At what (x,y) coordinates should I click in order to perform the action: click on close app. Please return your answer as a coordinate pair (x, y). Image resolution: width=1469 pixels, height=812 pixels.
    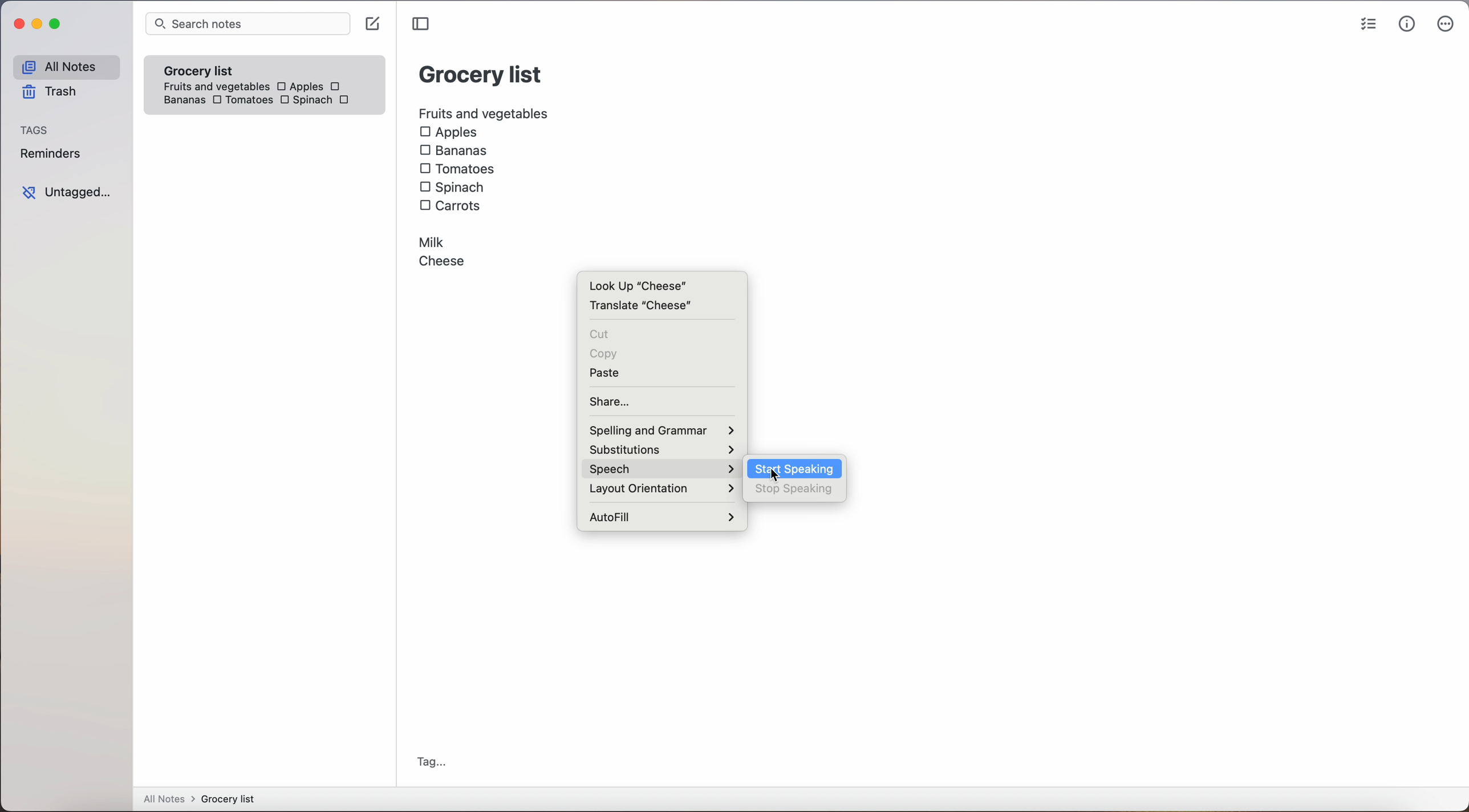
    Looking at the image, I should click on (15, 22).